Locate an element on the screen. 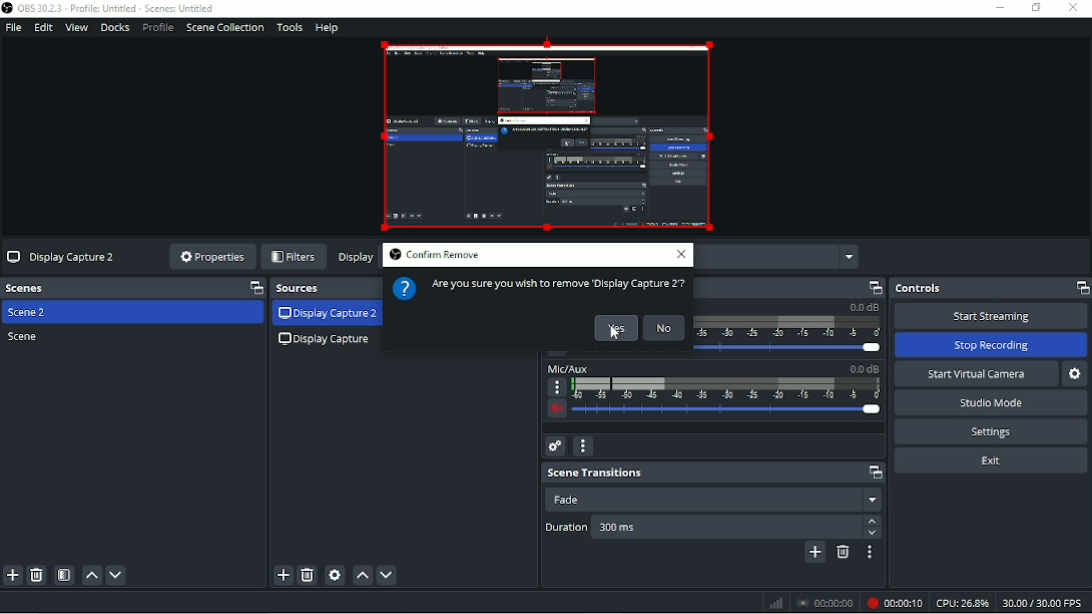 Image resolution: width=1092 pixels, height=614 pixels. Add source is located at coordinates (282, 575).